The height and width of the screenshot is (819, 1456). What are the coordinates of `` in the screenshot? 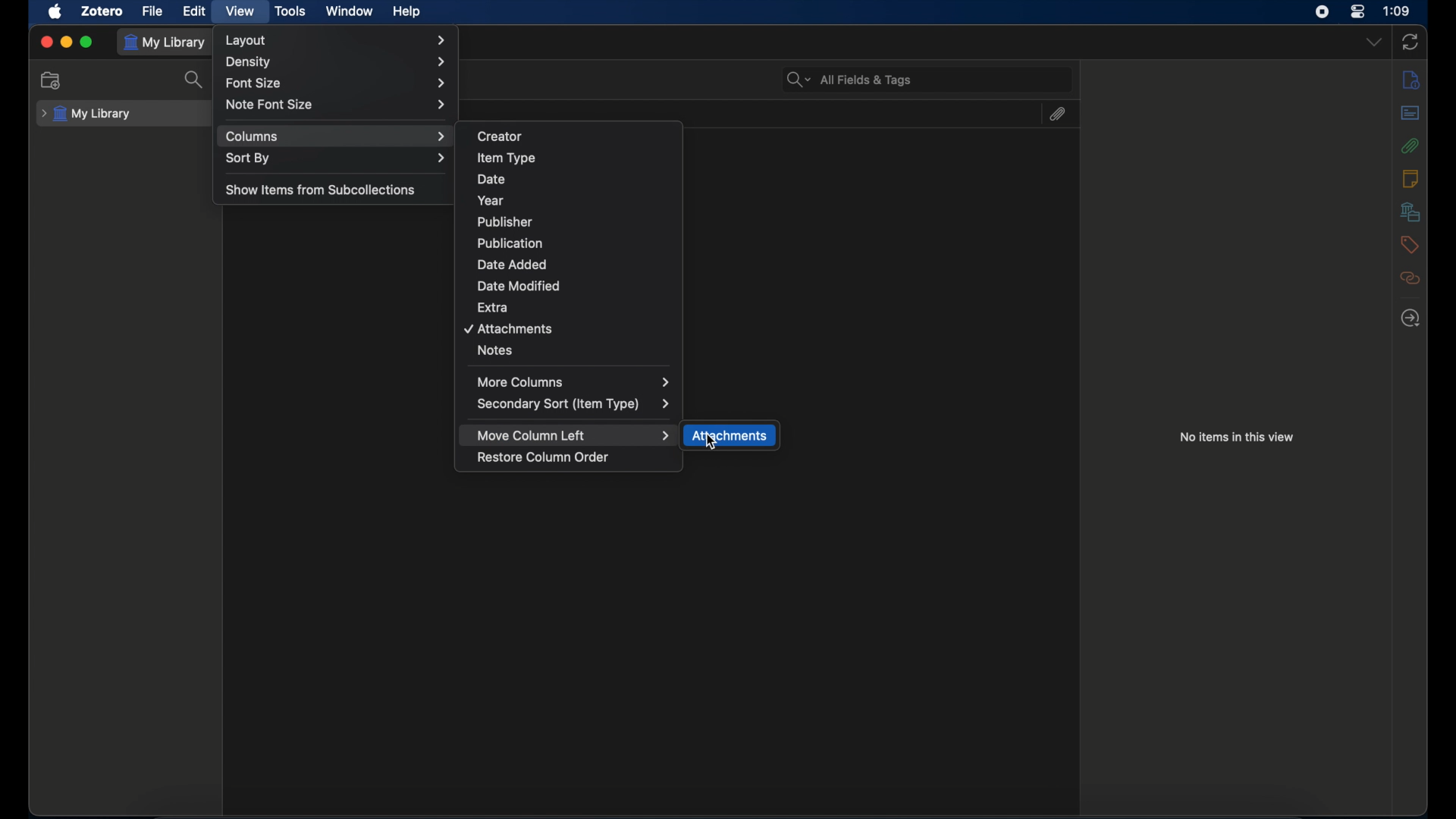 It's located at (1411, 318).